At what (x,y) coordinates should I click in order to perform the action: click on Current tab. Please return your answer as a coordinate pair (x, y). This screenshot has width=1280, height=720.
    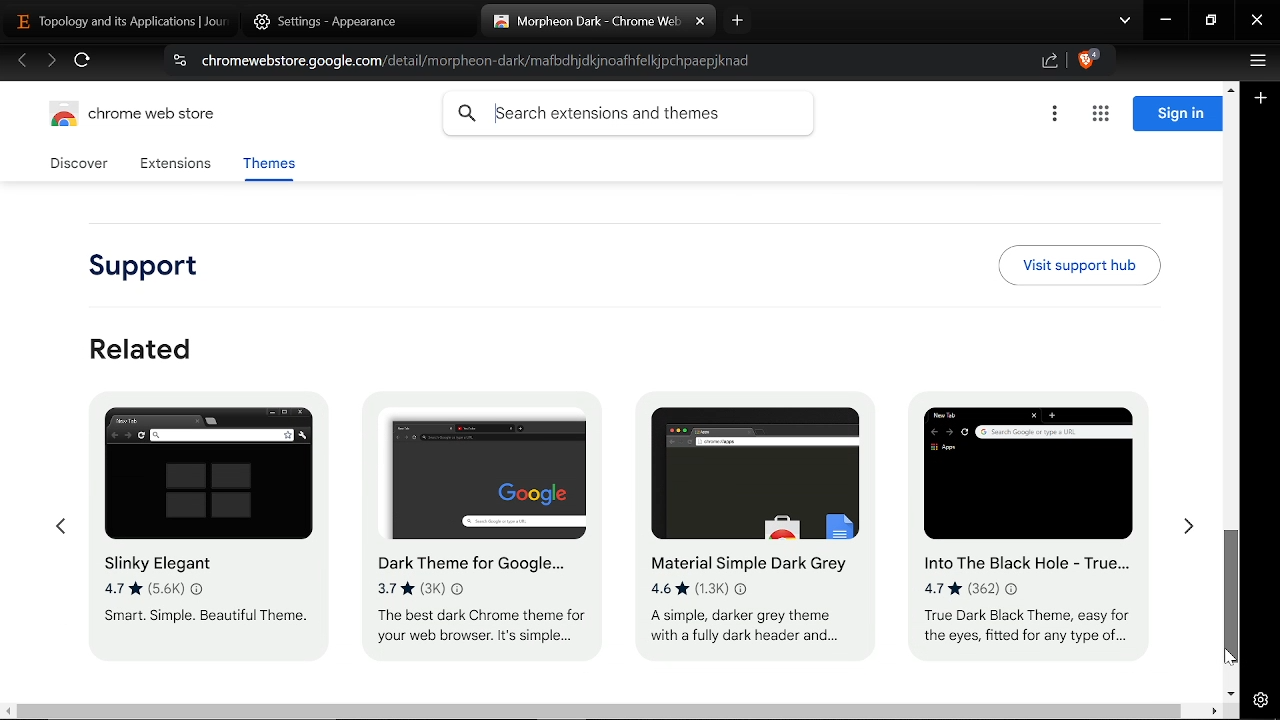
    Looking at the image, I should click on (585, 22).